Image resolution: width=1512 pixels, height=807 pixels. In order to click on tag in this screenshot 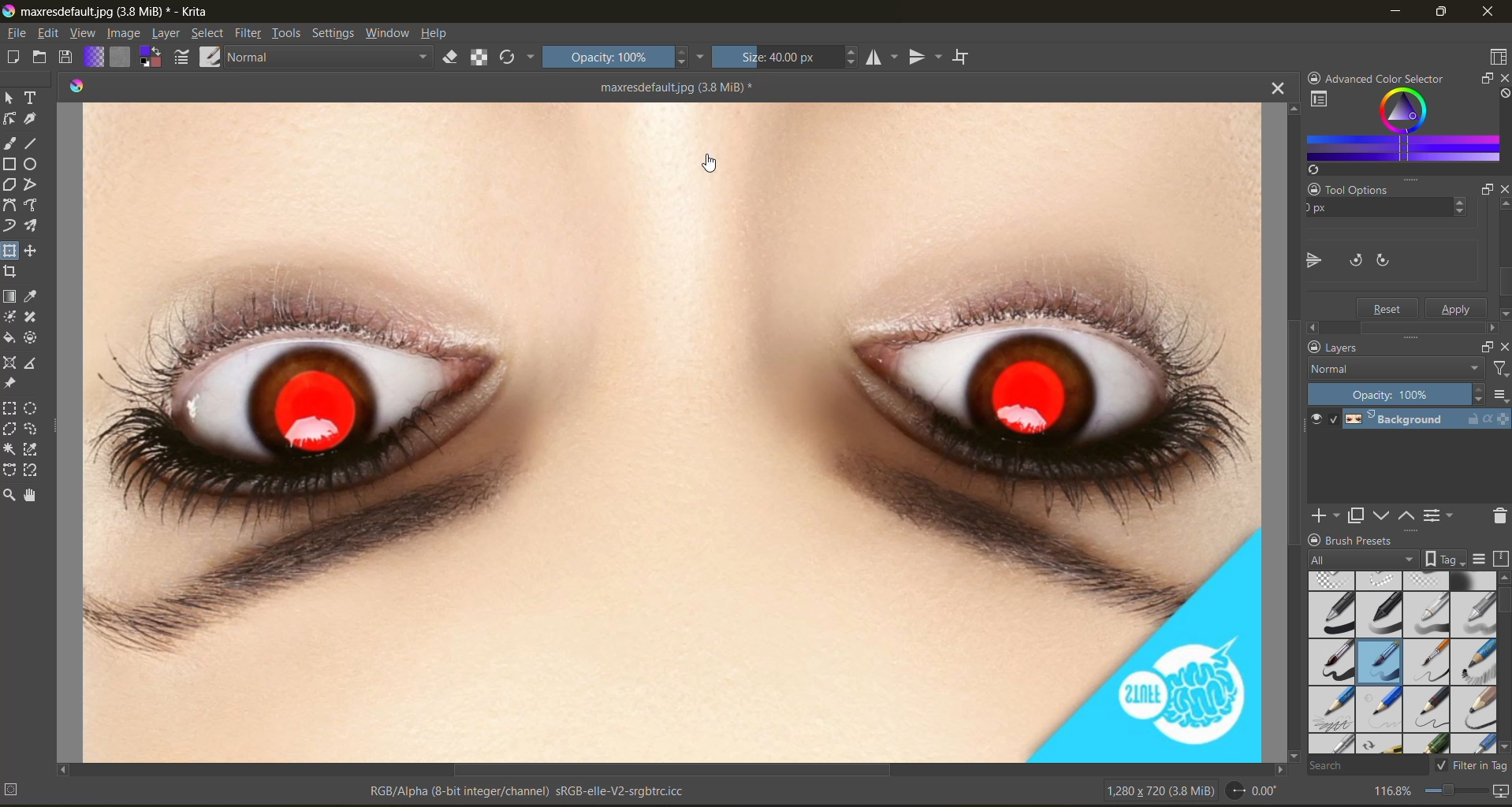, I will do `click(1360, 561)`.